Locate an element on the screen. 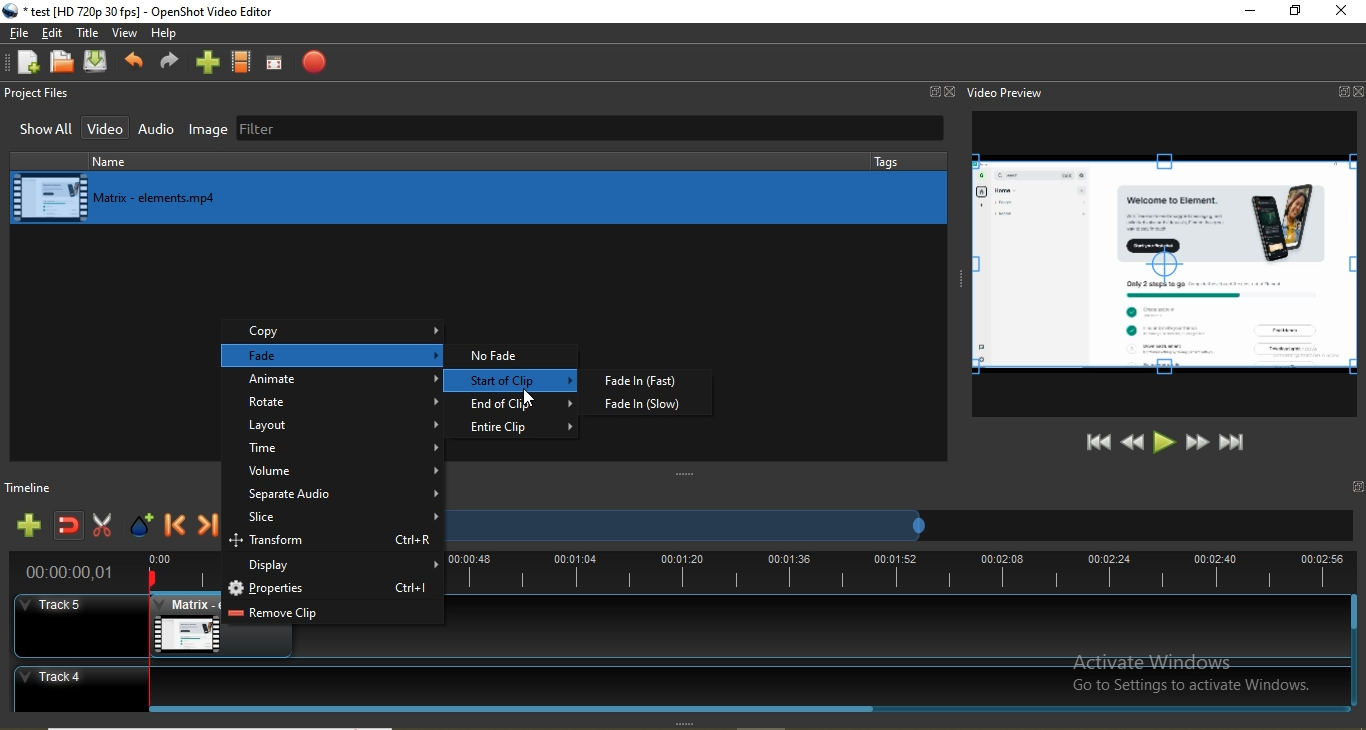  Add track is located at coordinates (30, 525).